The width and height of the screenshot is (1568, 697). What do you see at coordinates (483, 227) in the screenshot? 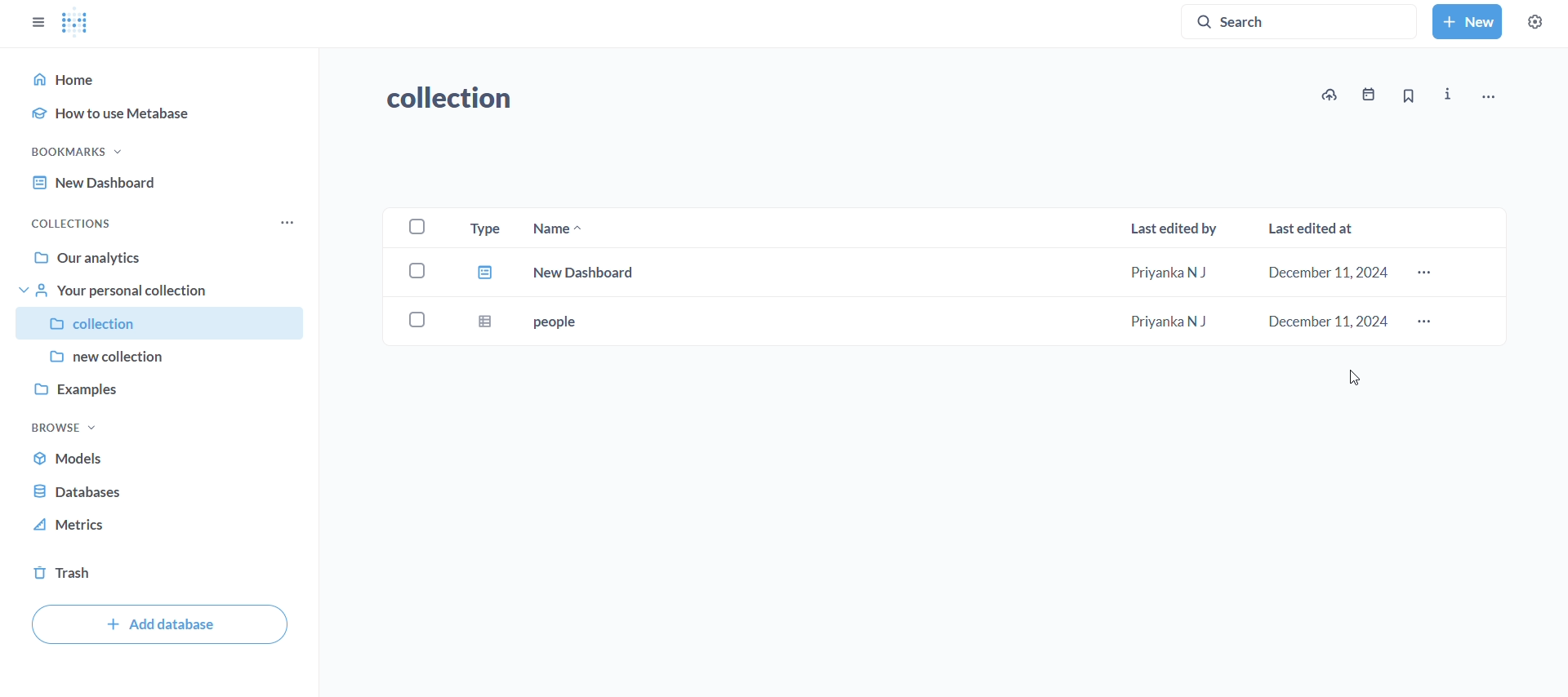
I see `type` at bounding box center [483, 227].